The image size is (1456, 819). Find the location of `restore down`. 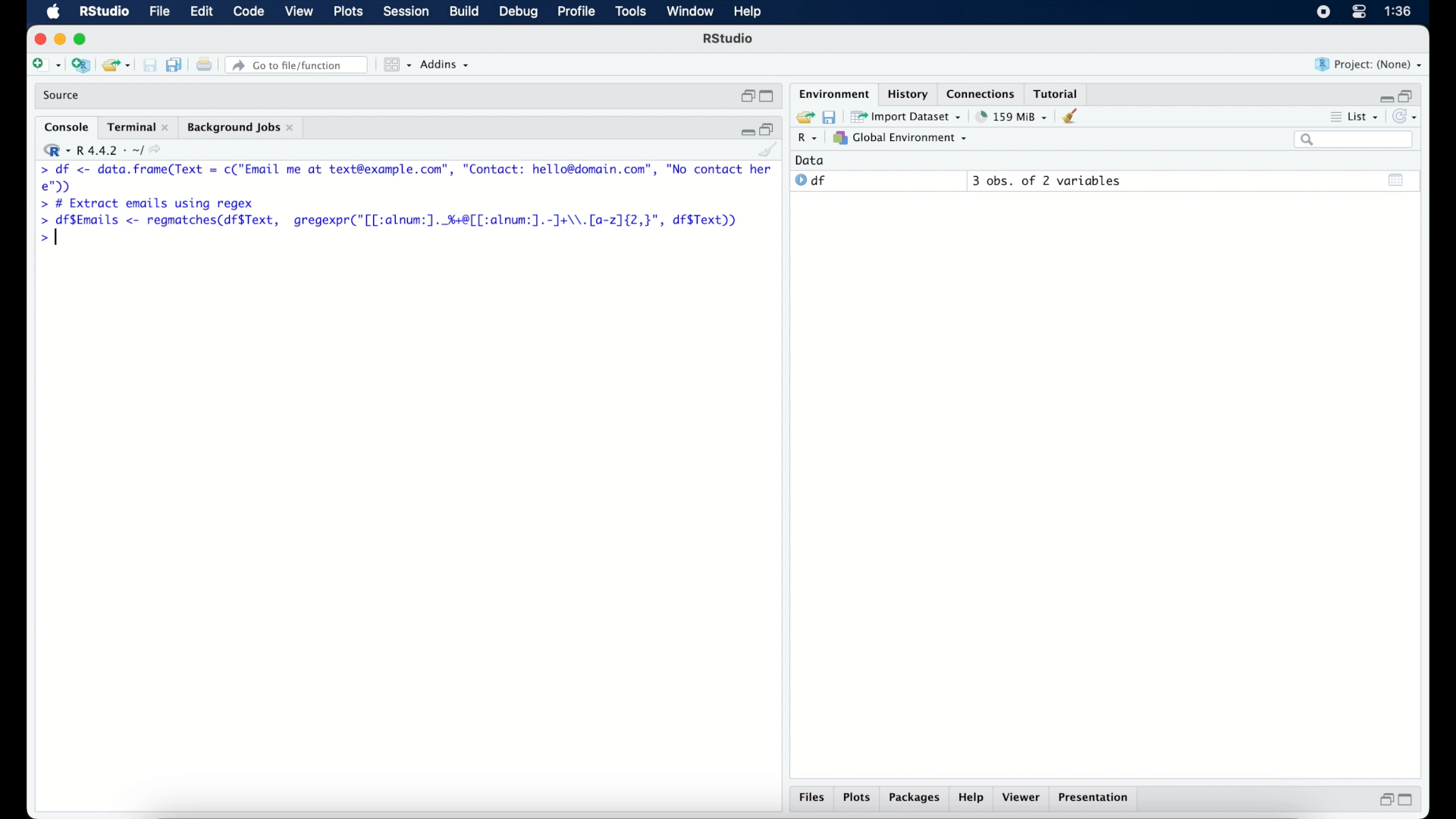

restore down is located at coordinates (770, 129).